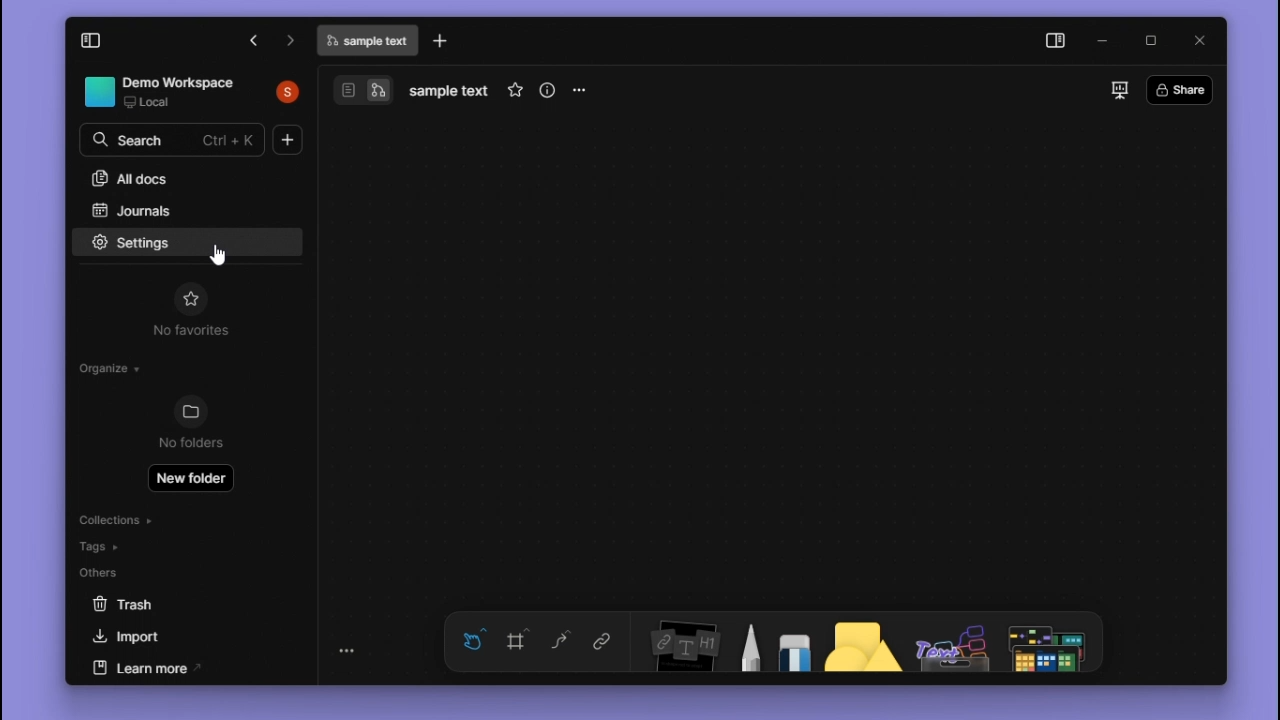 Image resolution: width=1280 pixels, height=720 pixels. I want to click on curve, so click(562, 641).